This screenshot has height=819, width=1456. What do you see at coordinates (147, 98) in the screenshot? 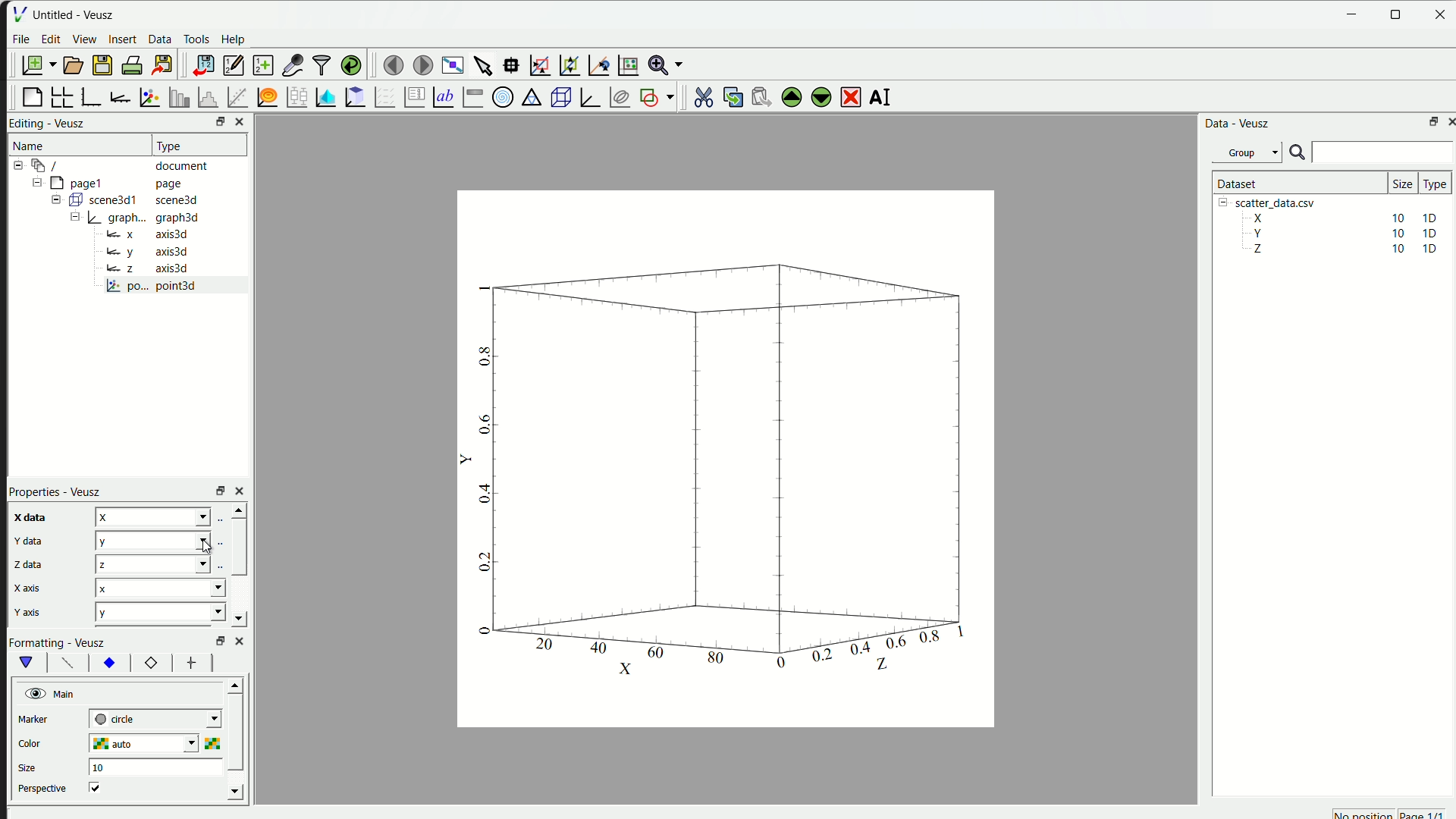
I see `plot points` at bounding box center [147, 98].